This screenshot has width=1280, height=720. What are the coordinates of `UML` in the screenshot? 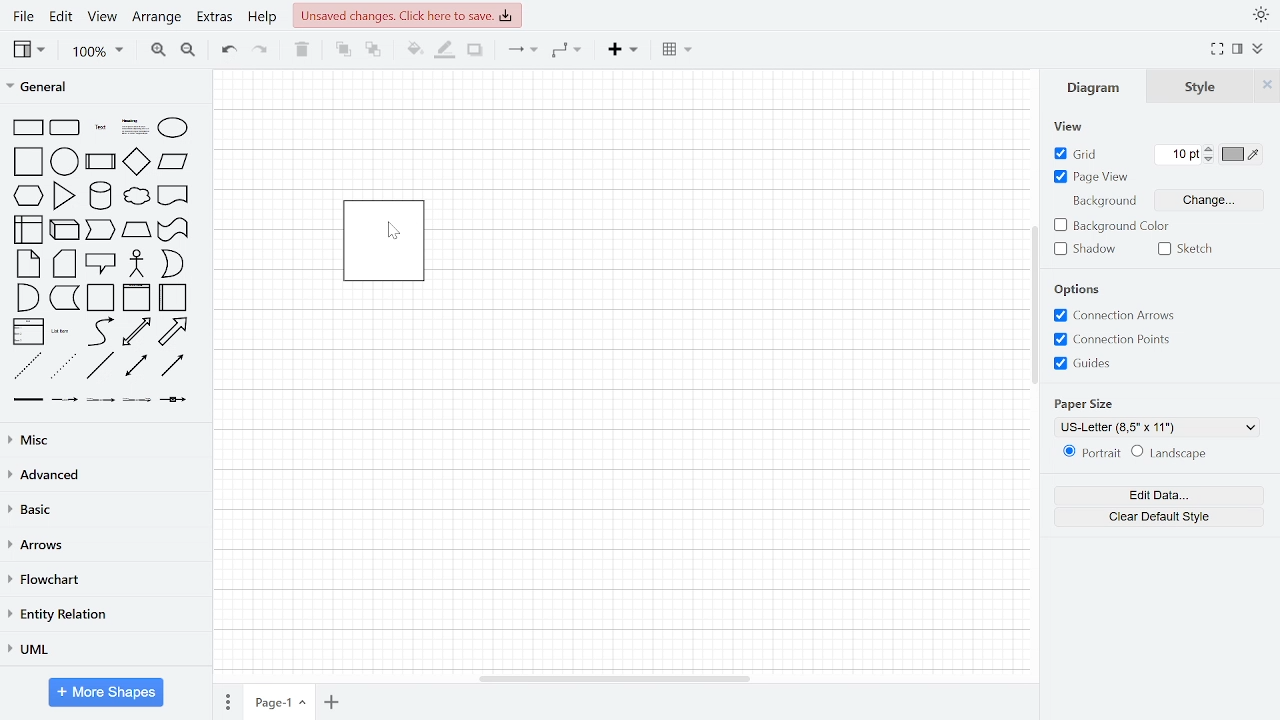 It's located at (99, 652).